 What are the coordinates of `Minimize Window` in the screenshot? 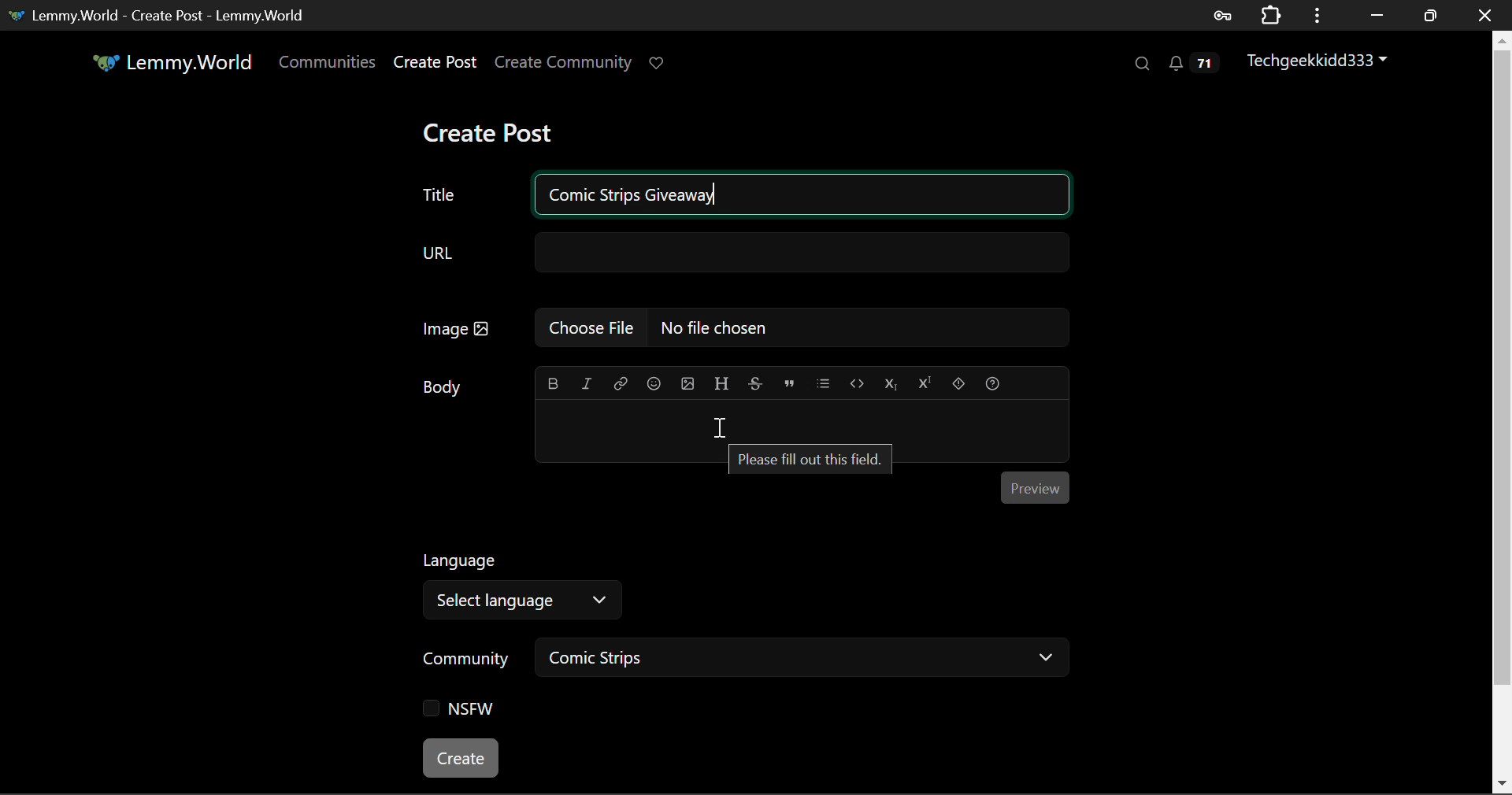 It's located at (1430, 13).